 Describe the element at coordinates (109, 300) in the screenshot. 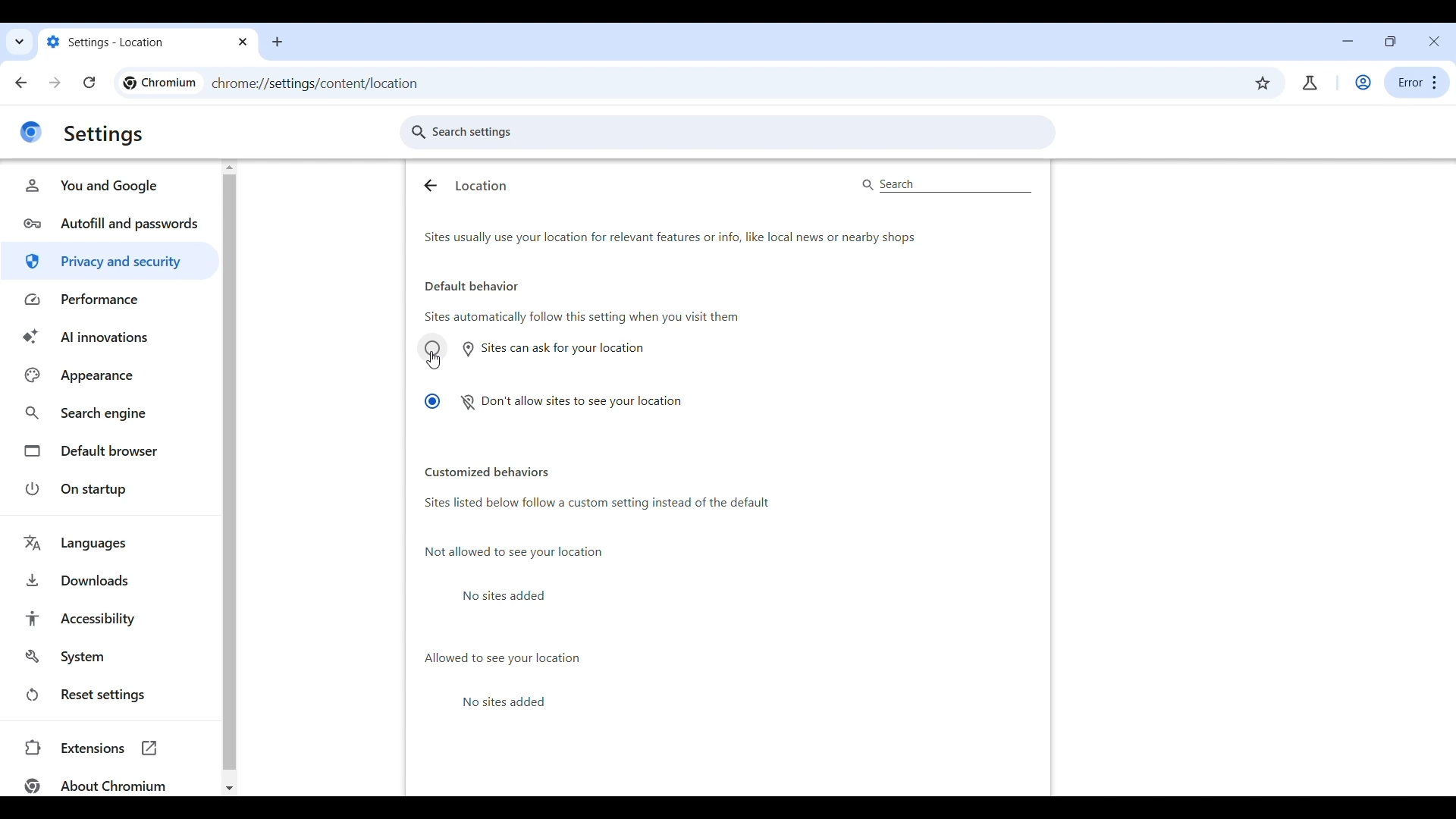

I see `Performance` at that location.